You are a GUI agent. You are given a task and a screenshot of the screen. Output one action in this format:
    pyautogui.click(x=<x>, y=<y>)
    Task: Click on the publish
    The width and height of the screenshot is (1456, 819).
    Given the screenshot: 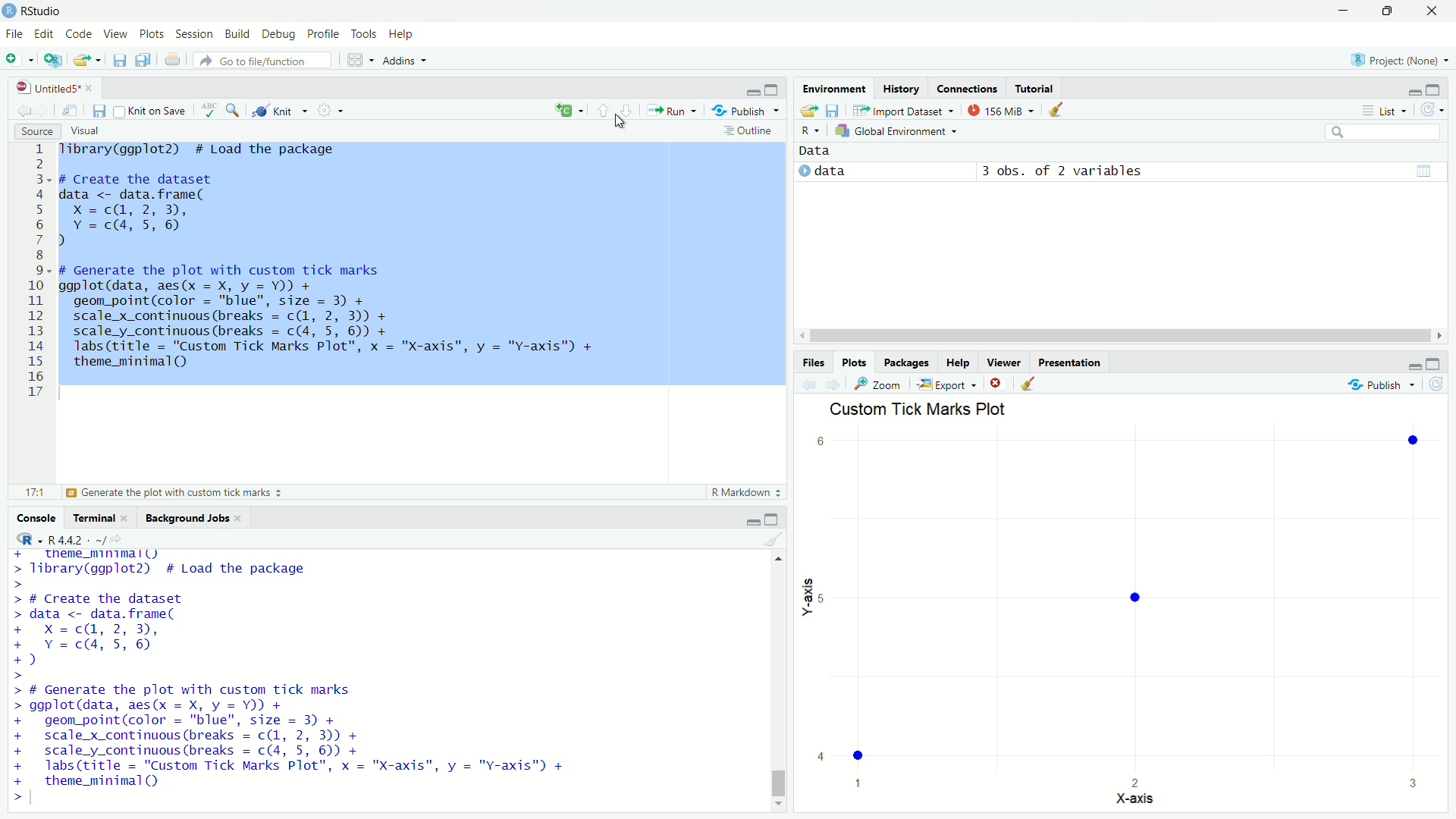 What is the action you would take?
    pyautogui.click(x=1378, y=386)
    